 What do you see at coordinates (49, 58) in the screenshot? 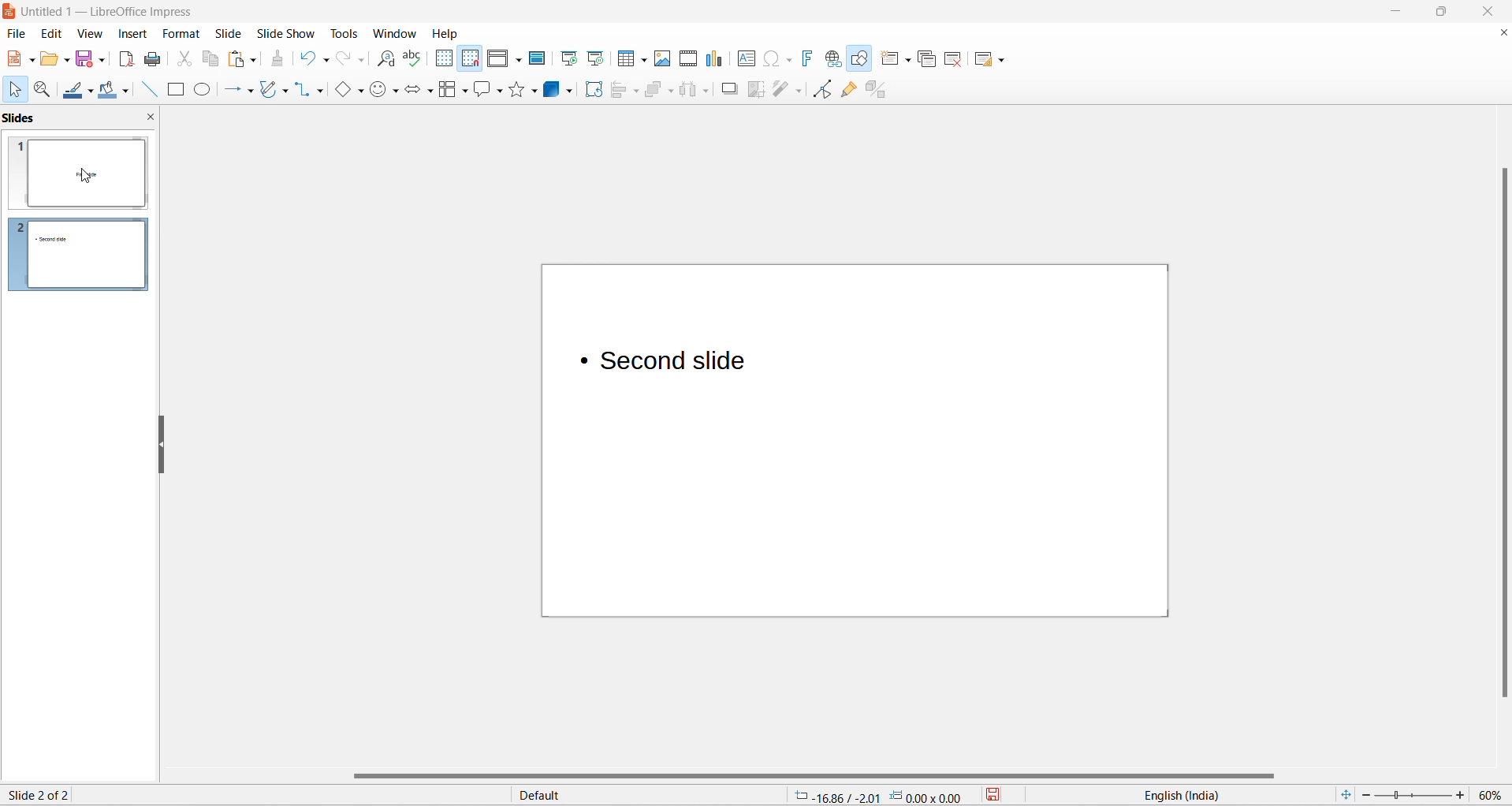
I see `open` at bounding box center [49, 58].